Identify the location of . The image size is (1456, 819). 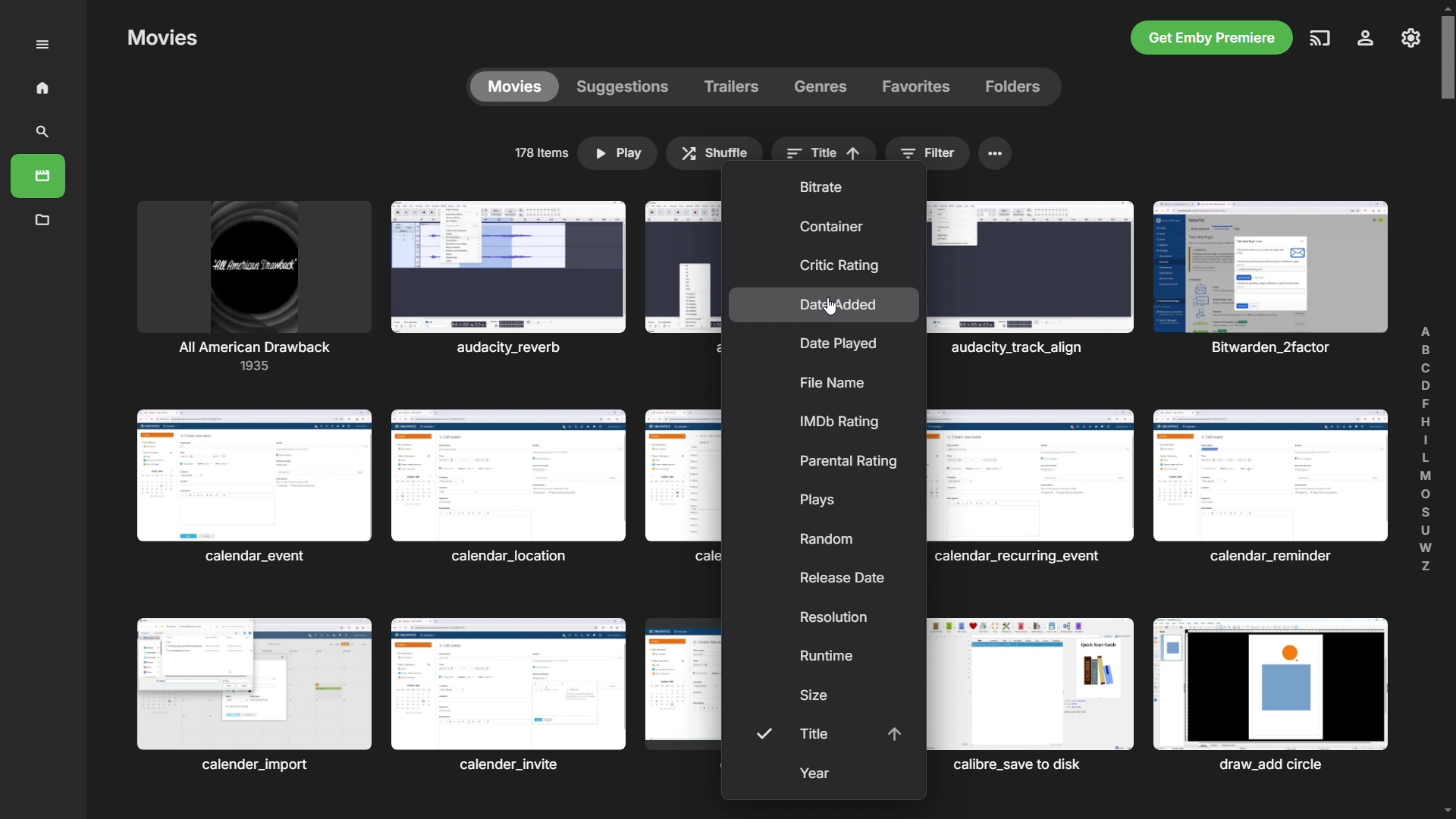
(252, 695).